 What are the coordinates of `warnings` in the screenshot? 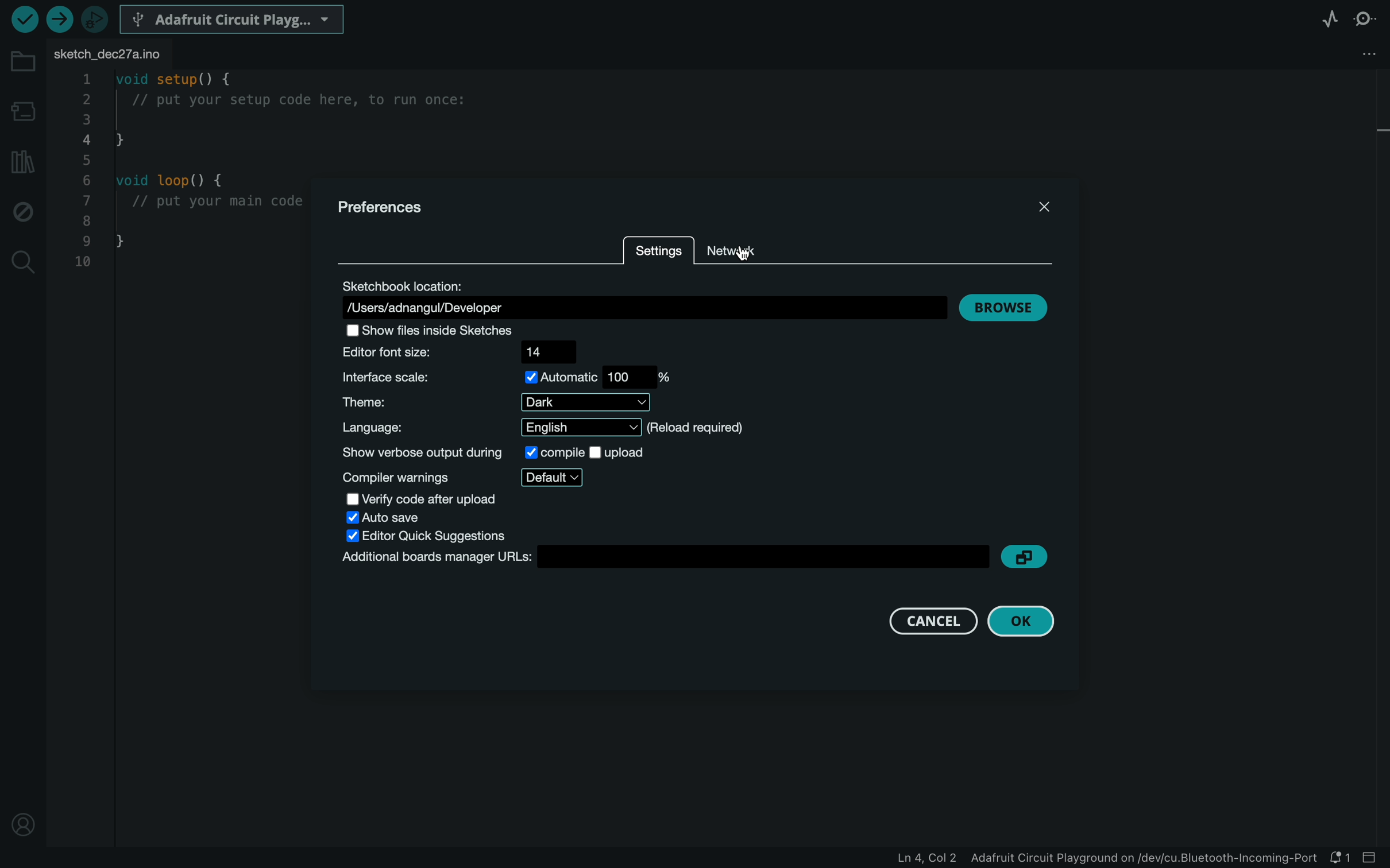 It's located at (469, 475).